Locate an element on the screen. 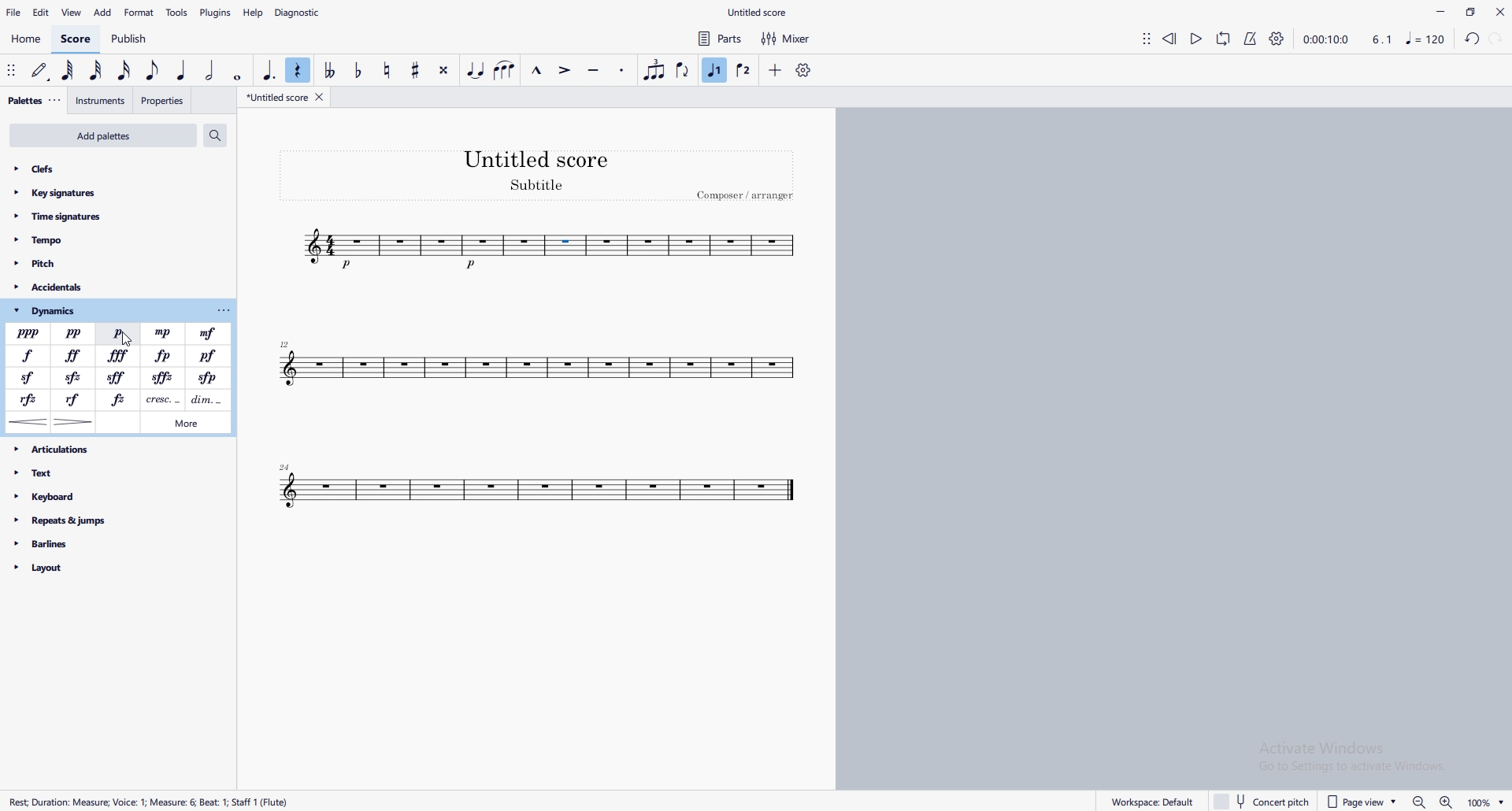  instruments is located at coordinates (102, 101).